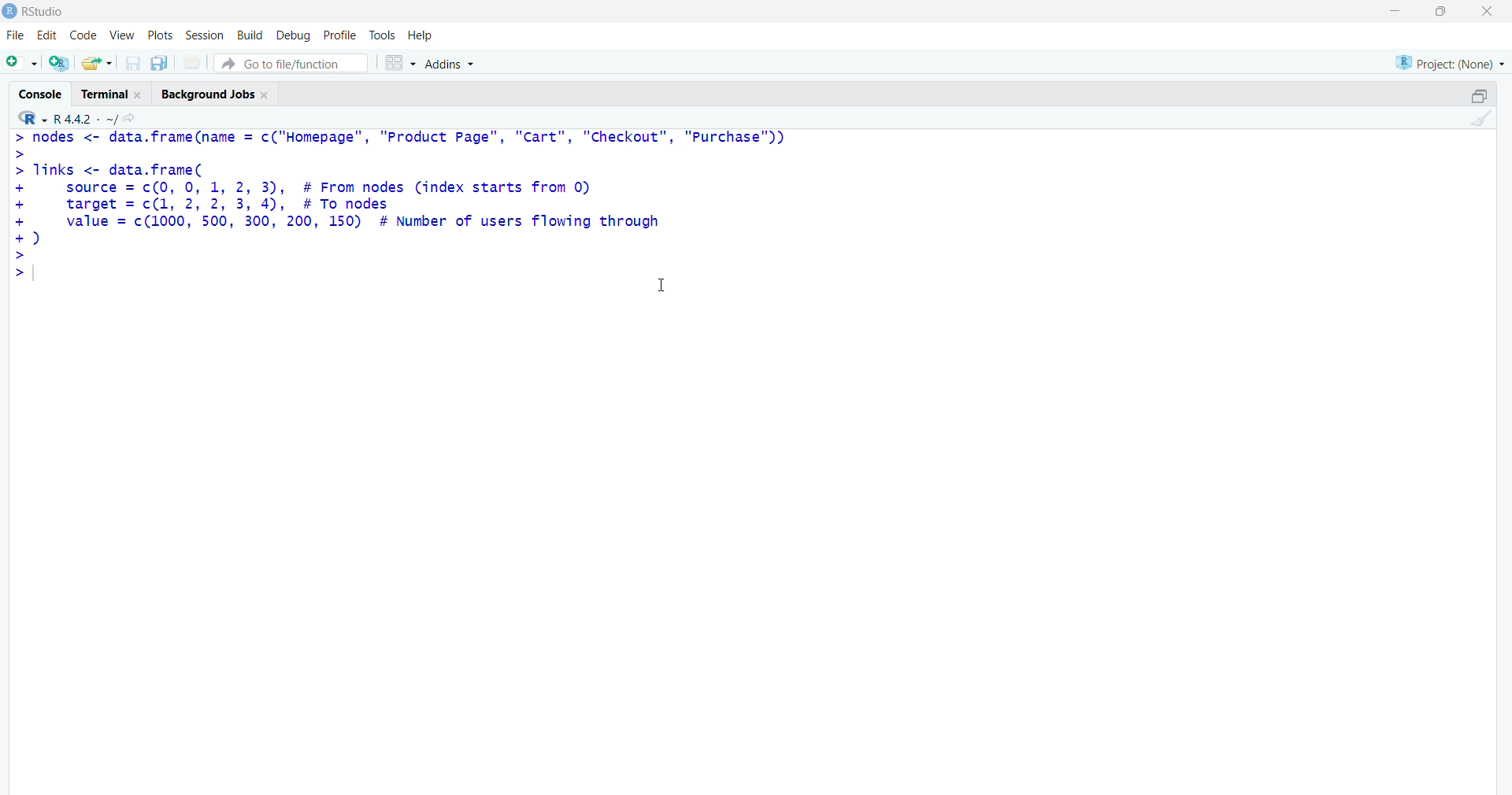 Image resolution: width=1512 pixels, height=795 pixels. Describe the element at coordinates (202, 36) in the screenshot. I see `session` at that location.